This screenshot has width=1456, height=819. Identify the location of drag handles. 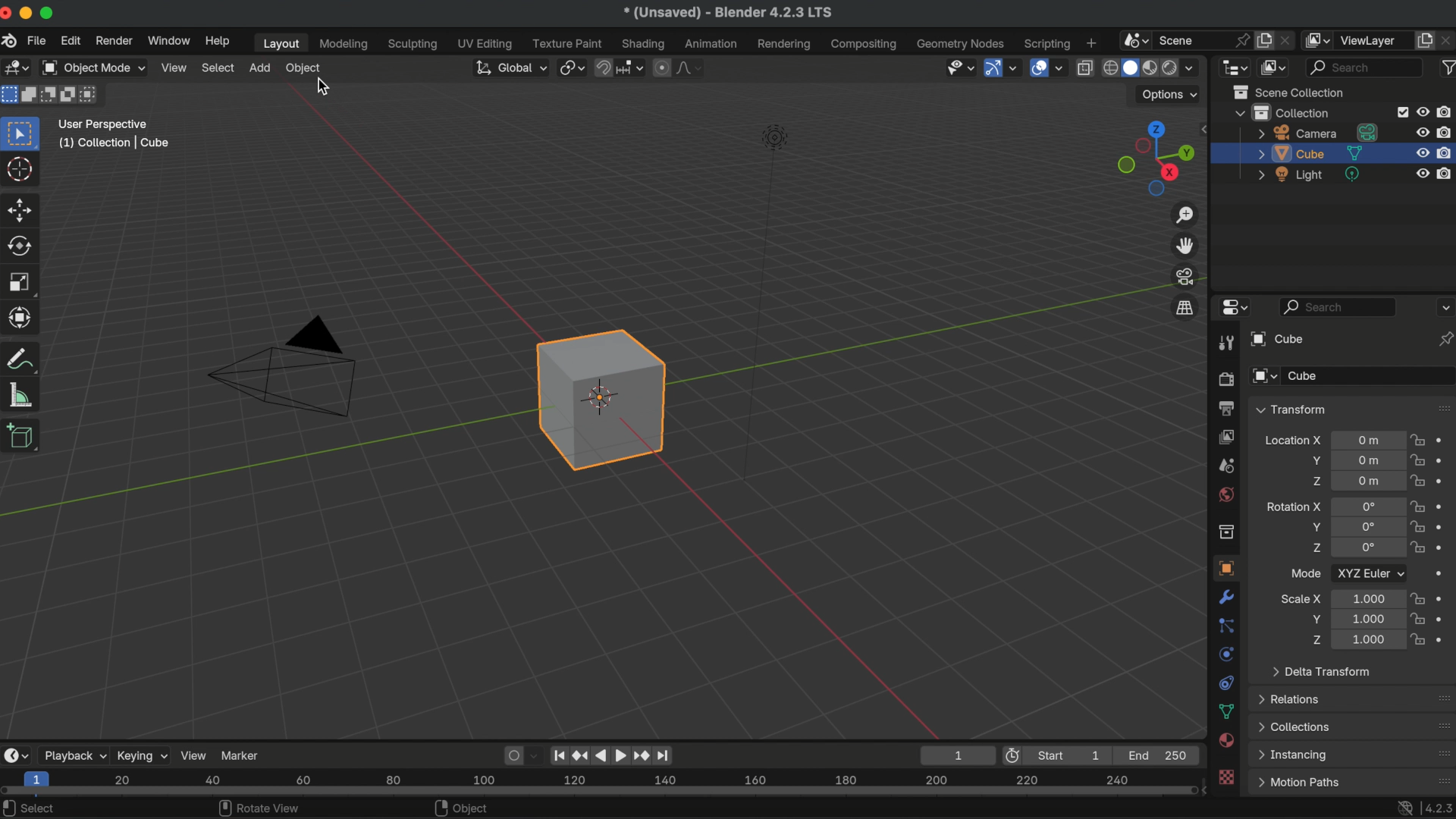
(1442, 407).